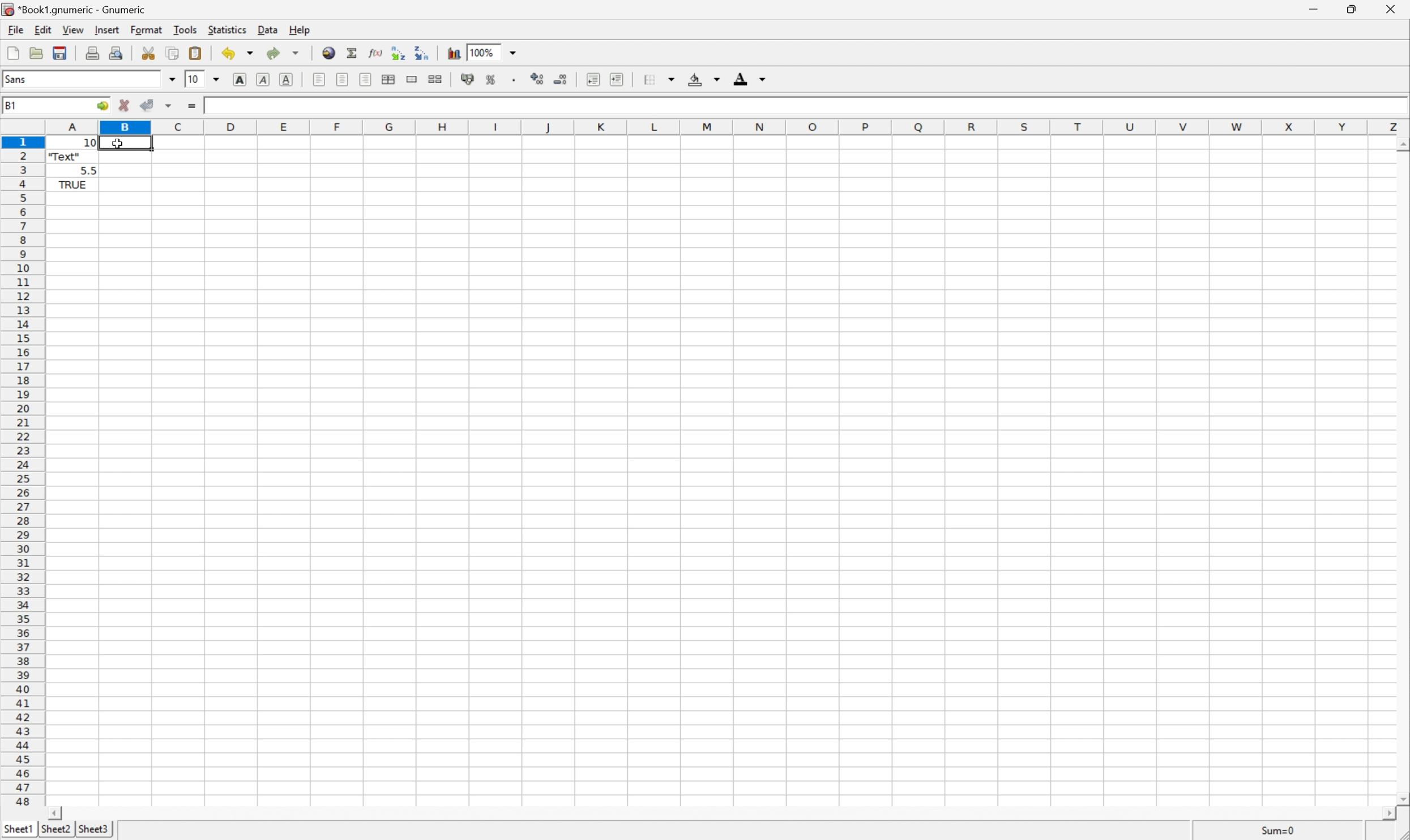 The image size is (1410, 840). Describe the element at coordinates (195, 52) in the screenshot. I see `Paste a clipboard` at that location.